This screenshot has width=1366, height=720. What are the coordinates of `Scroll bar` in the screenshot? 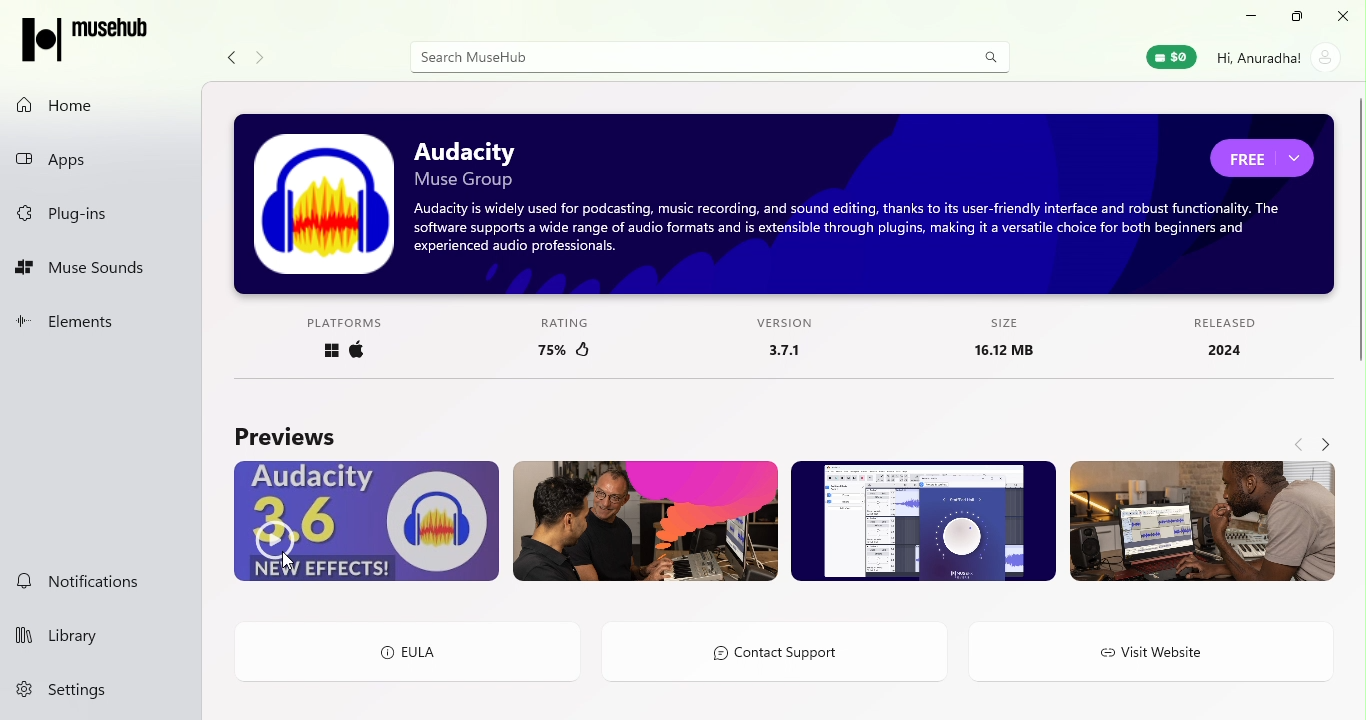 It's located at (1358, 335).